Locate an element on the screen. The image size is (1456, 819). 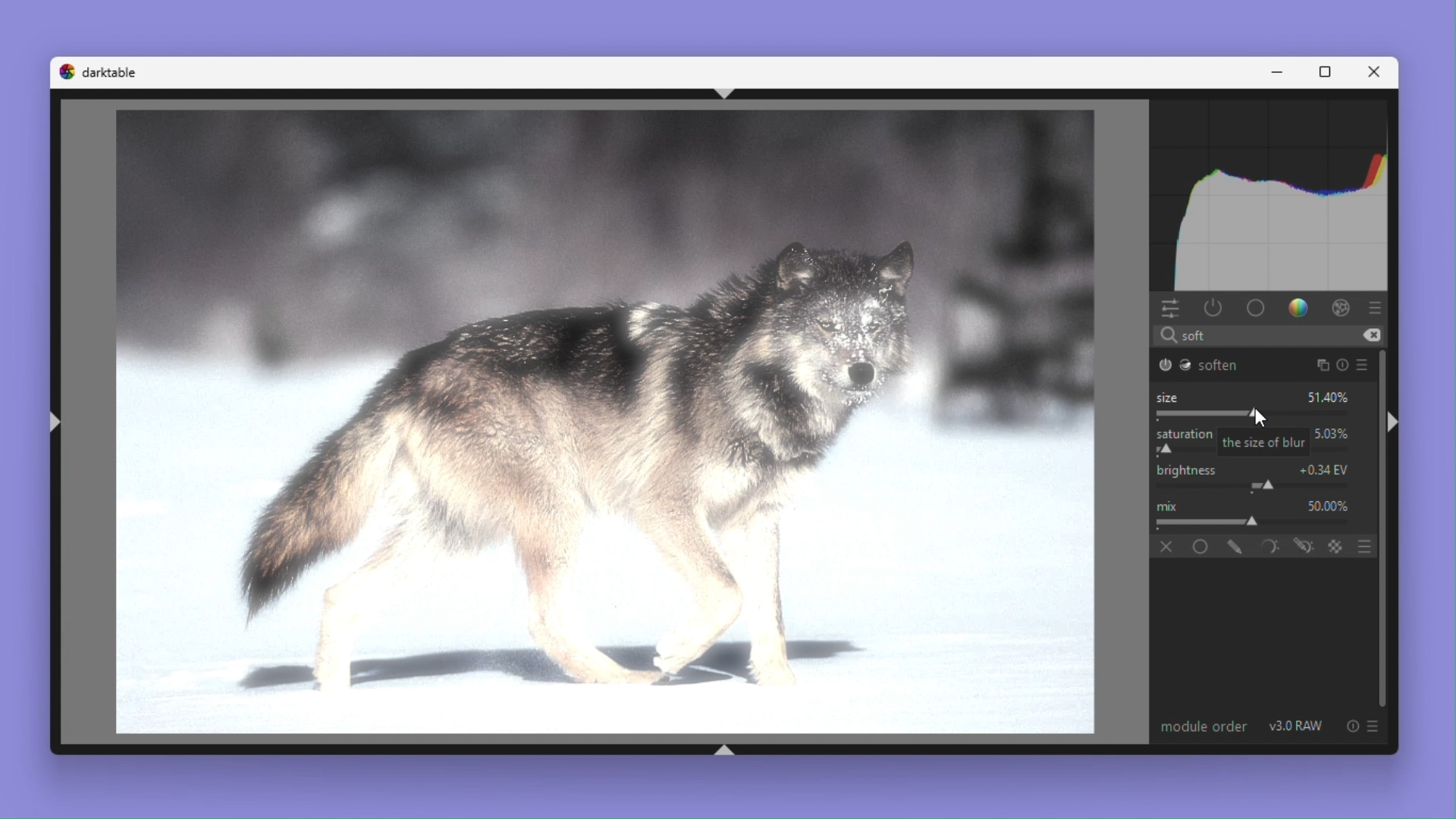
Image is located at coordinates (595, 424).